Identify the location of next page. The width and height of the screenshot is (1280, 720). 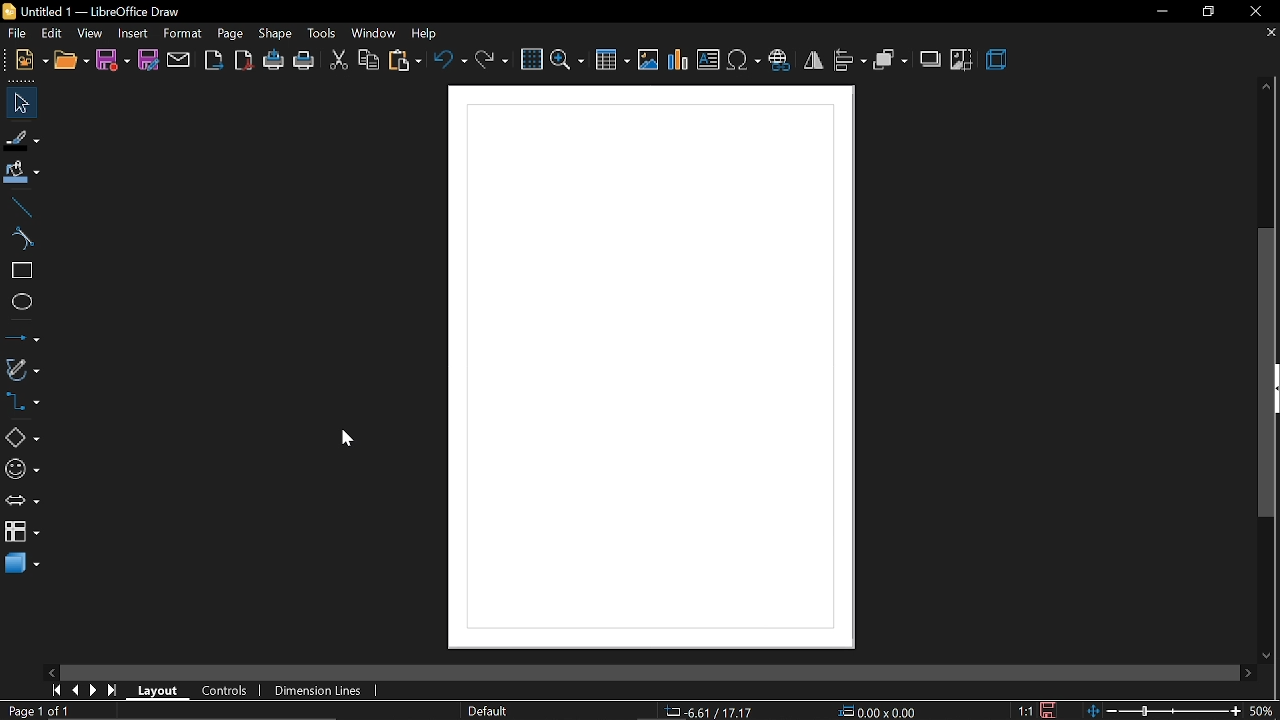
(96, 692).